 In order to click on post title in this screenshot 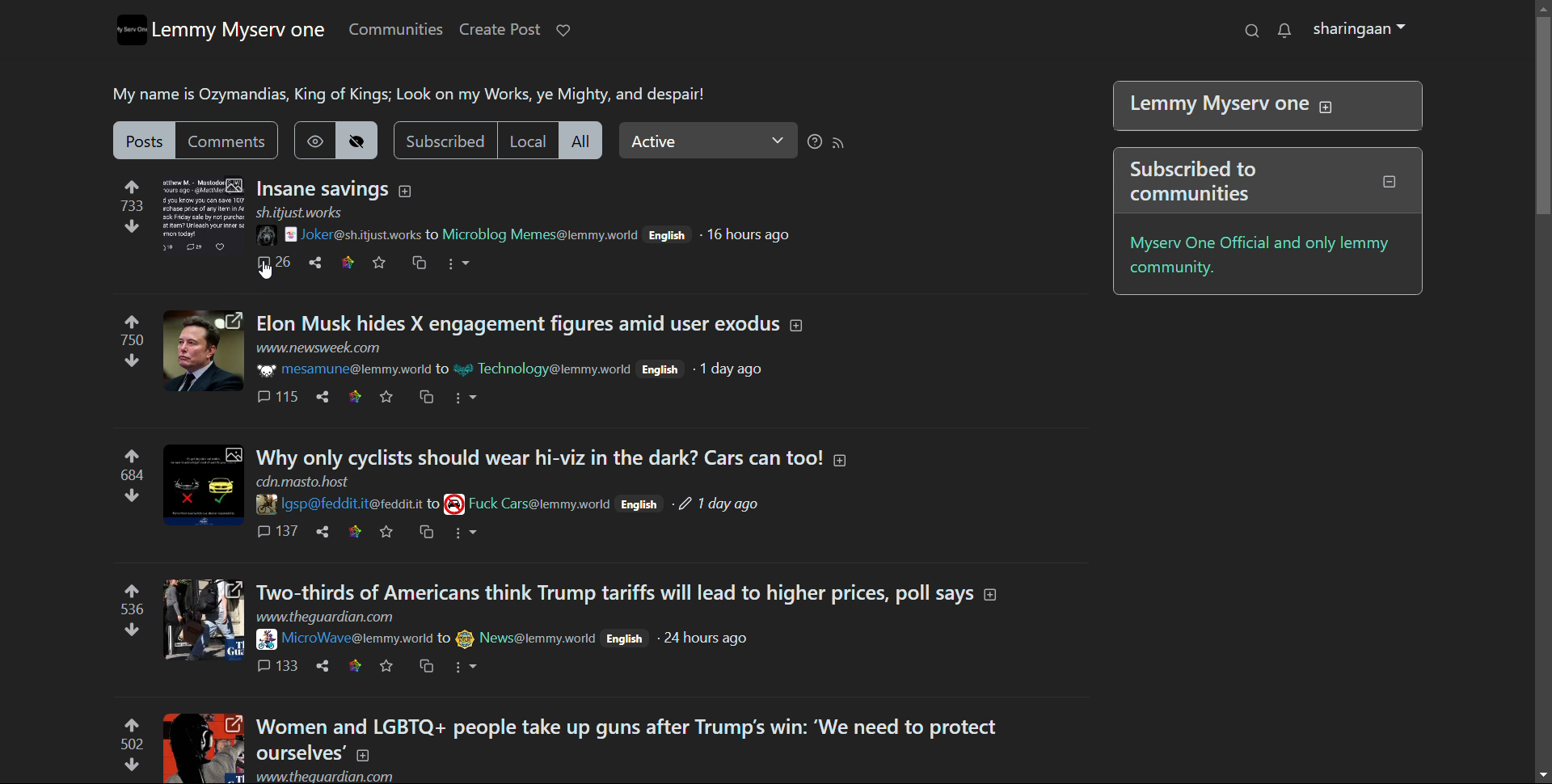, I will do `click(518, 323)`.